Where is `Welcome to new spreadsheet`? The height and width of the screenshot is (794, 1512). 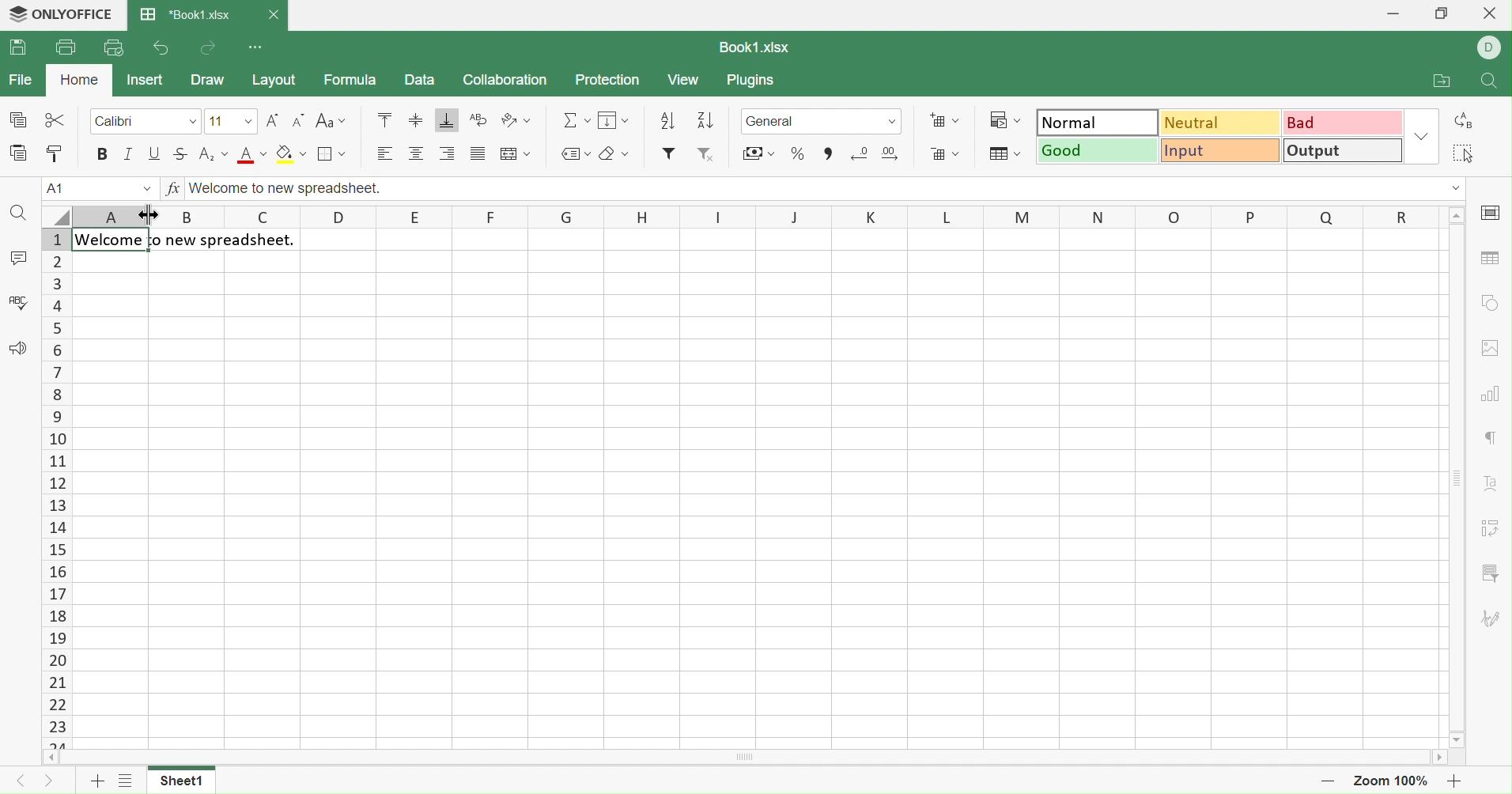
Welcome to new spreadsheet is located at coordinates (187, 241).